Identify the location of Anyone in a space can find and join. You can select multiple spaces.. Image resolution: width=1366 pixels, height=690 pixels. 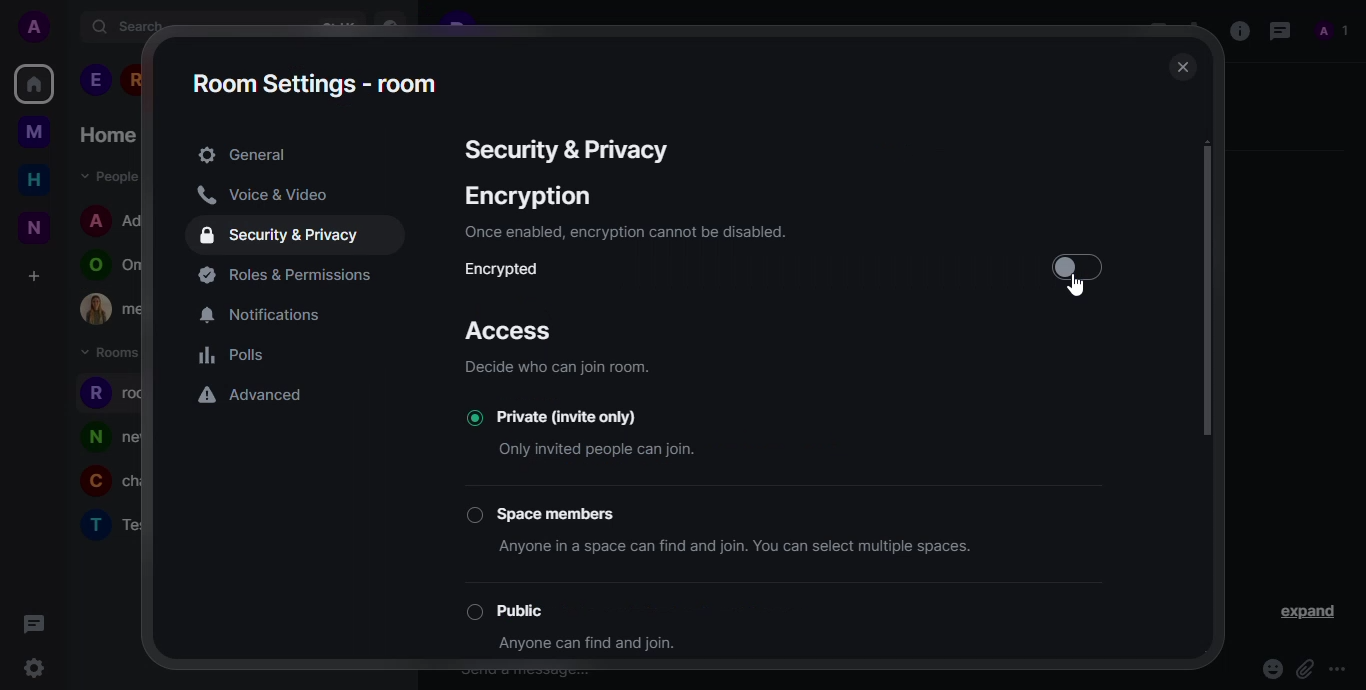
(749, 550).